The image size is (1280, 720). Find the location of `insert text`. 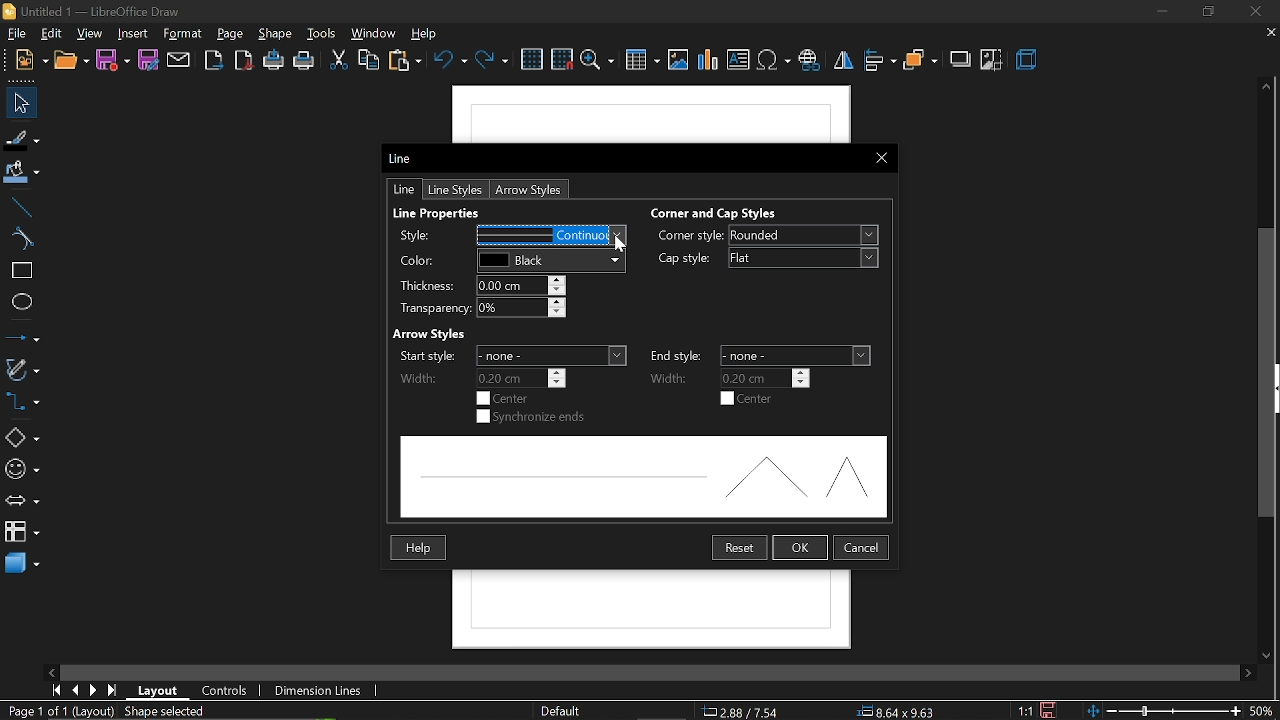

insert text is located at coordinates (738, 60).